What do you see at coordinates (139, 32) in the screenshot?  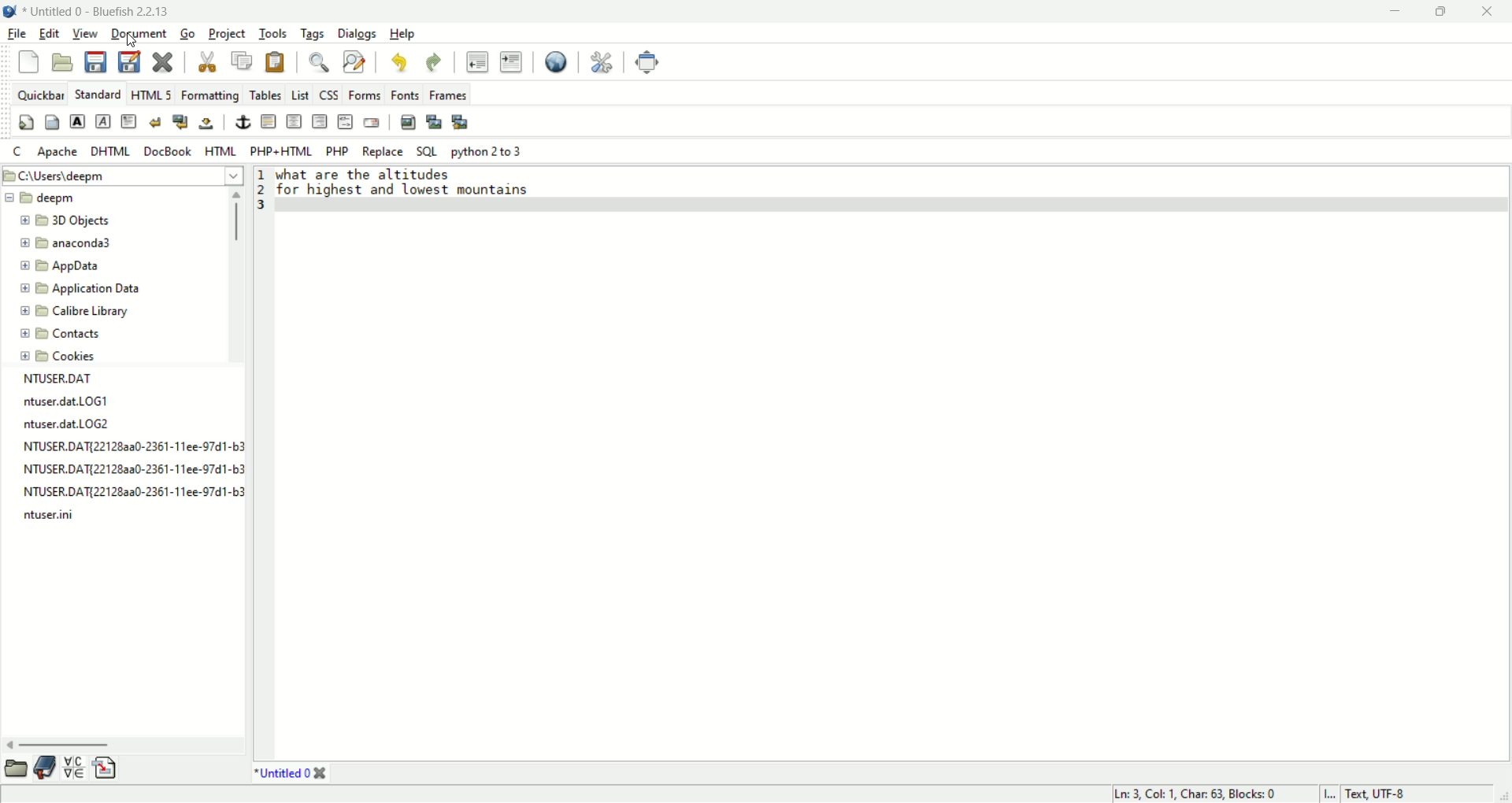 I see `document` at bounding box center [139, 32].